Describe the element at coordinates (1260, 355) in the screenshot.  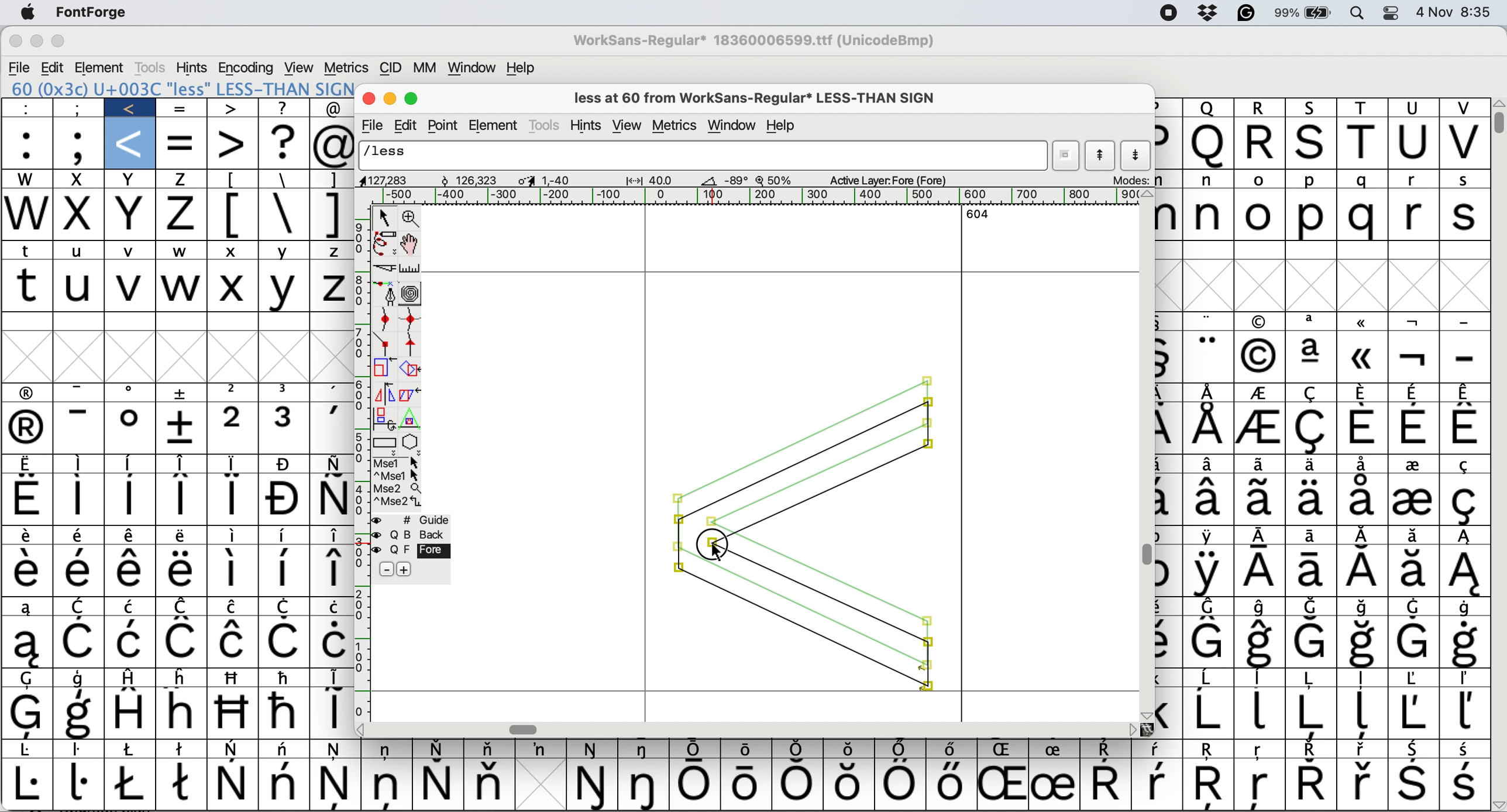
I see `Symbol` at that location.